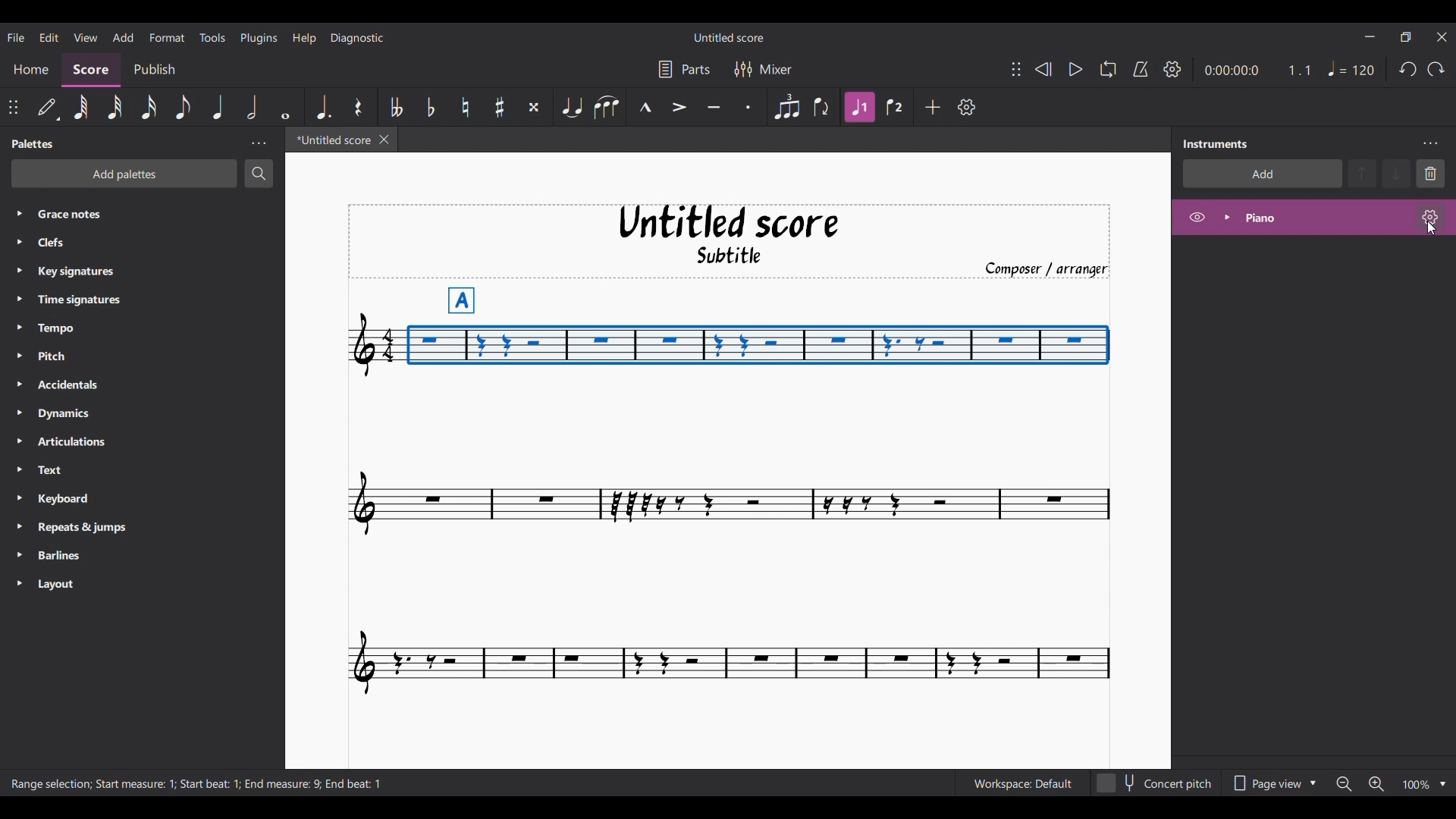  Describe the element at coordinates (153, 212) in the screenshot. I see `Grace notes` at that location.